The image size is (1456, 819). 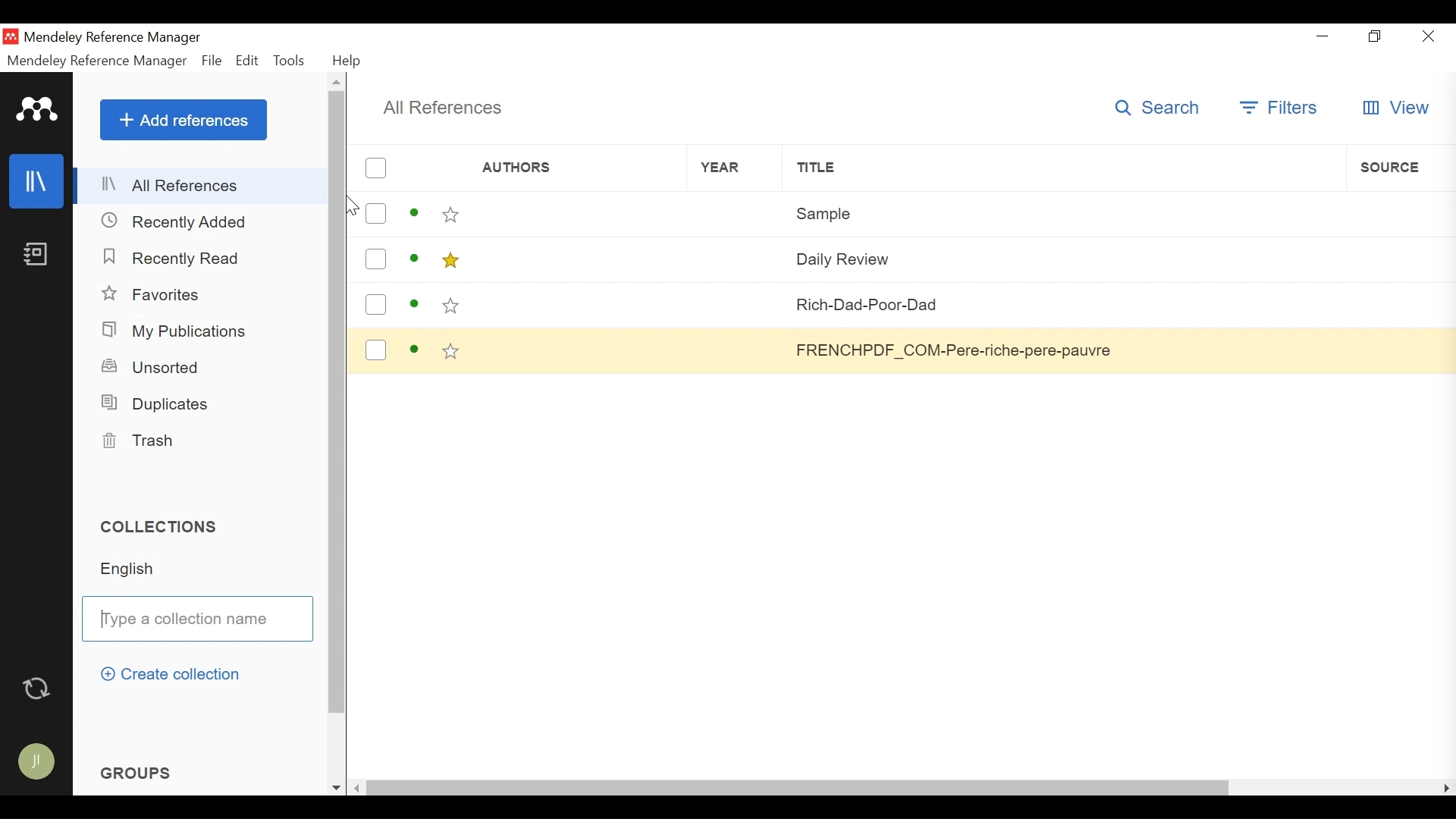 I want to click on Authors, so click(x=579, y=349).